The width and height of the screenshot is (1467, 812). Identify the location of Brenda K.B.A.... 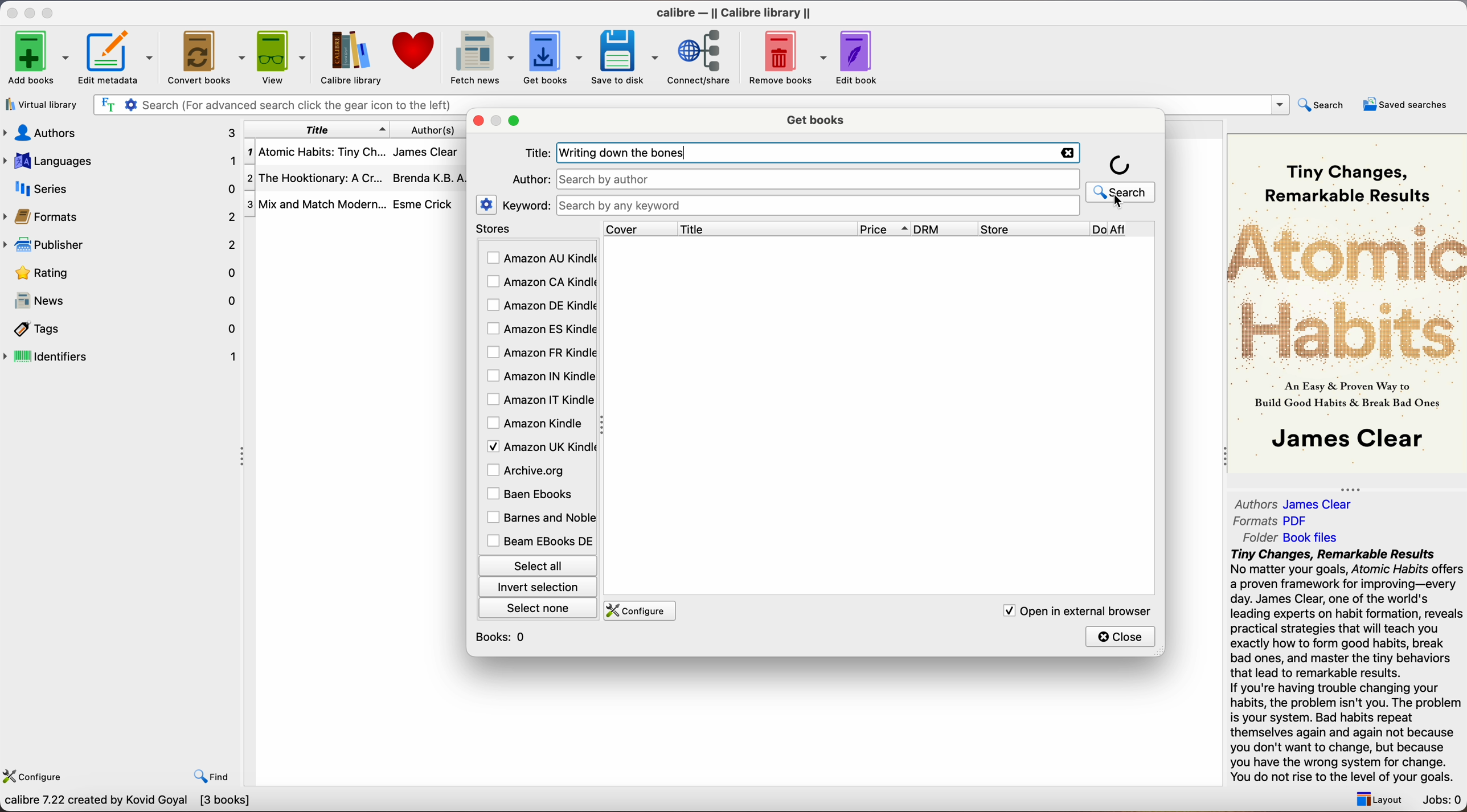
(433, 178).